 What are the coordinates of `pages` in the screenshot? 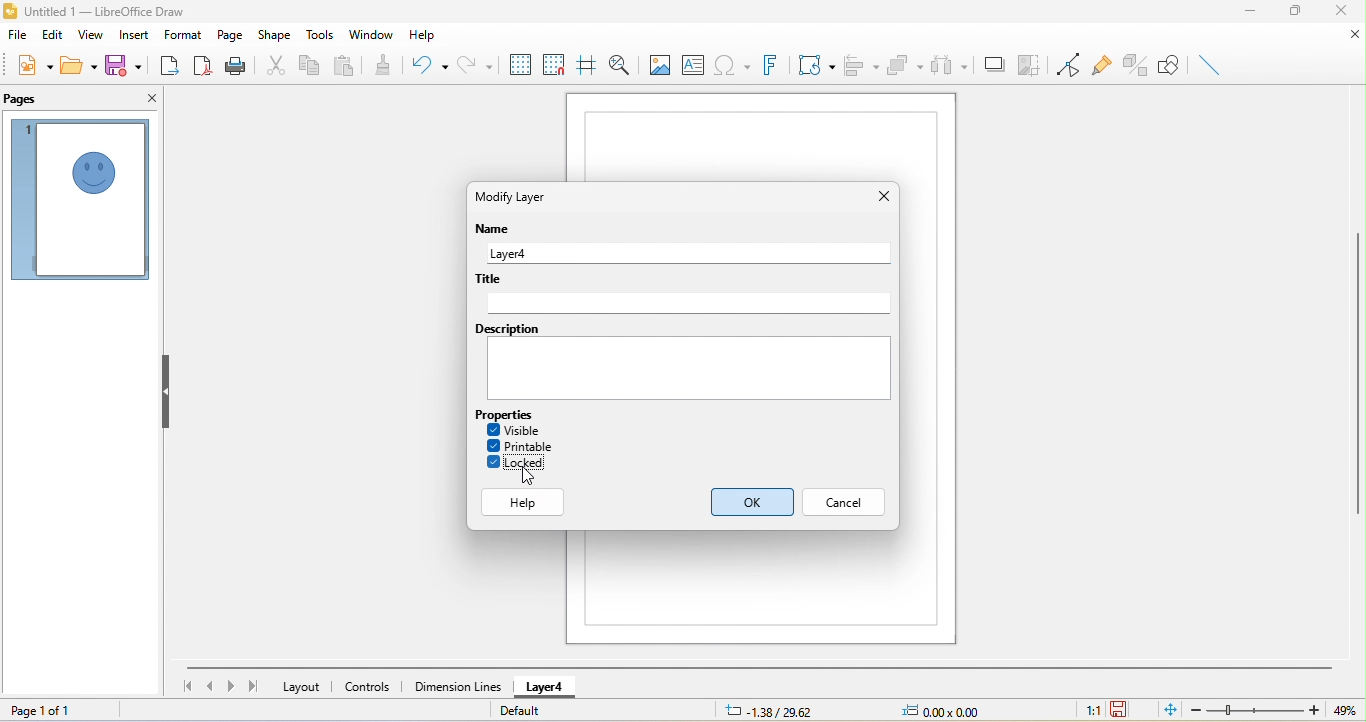 It's located at (29, 99).